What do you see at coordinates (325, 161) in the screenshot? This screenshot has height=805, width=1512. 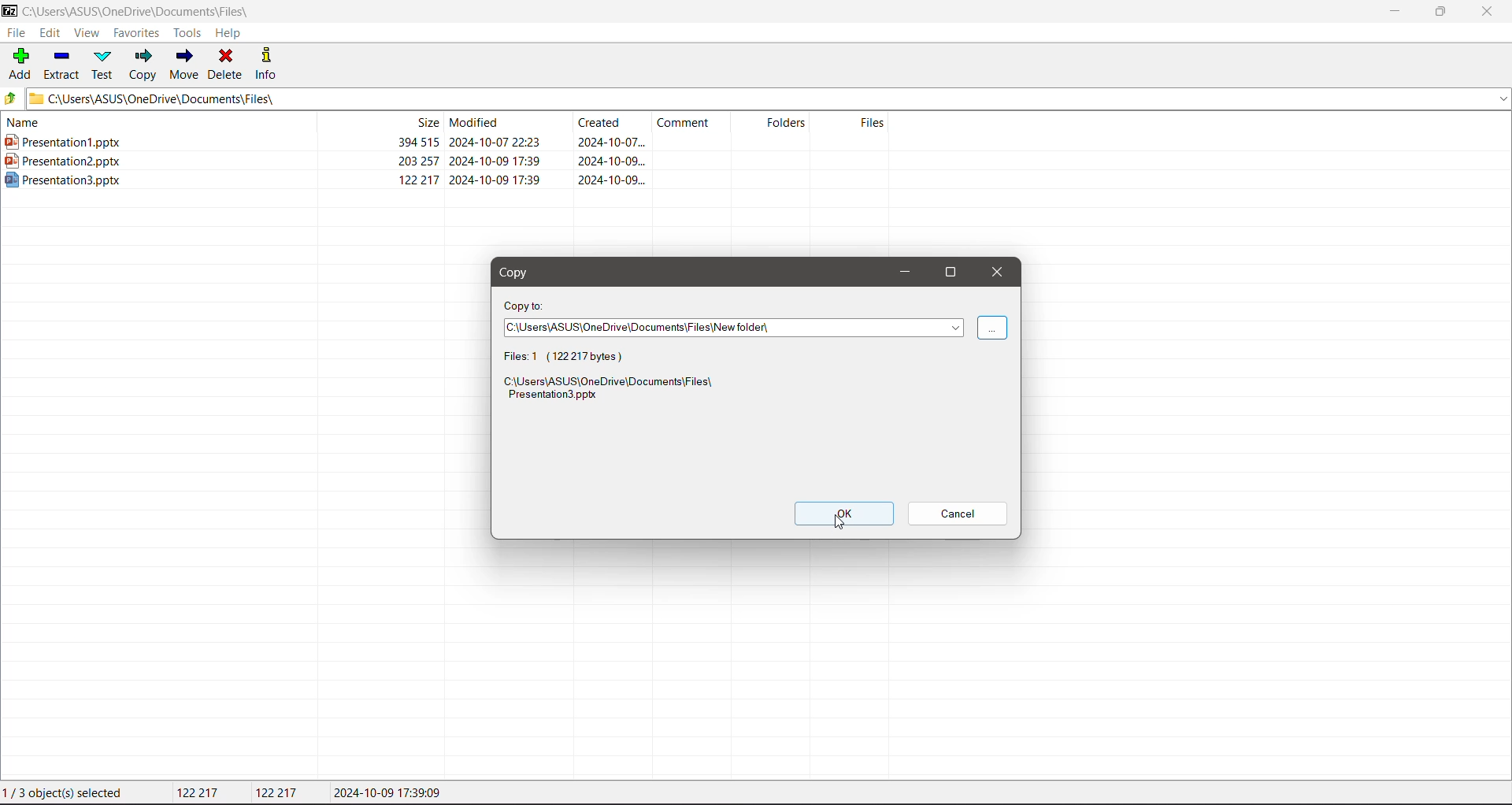 I see `Presetation2` at bounding box center [325, 161].